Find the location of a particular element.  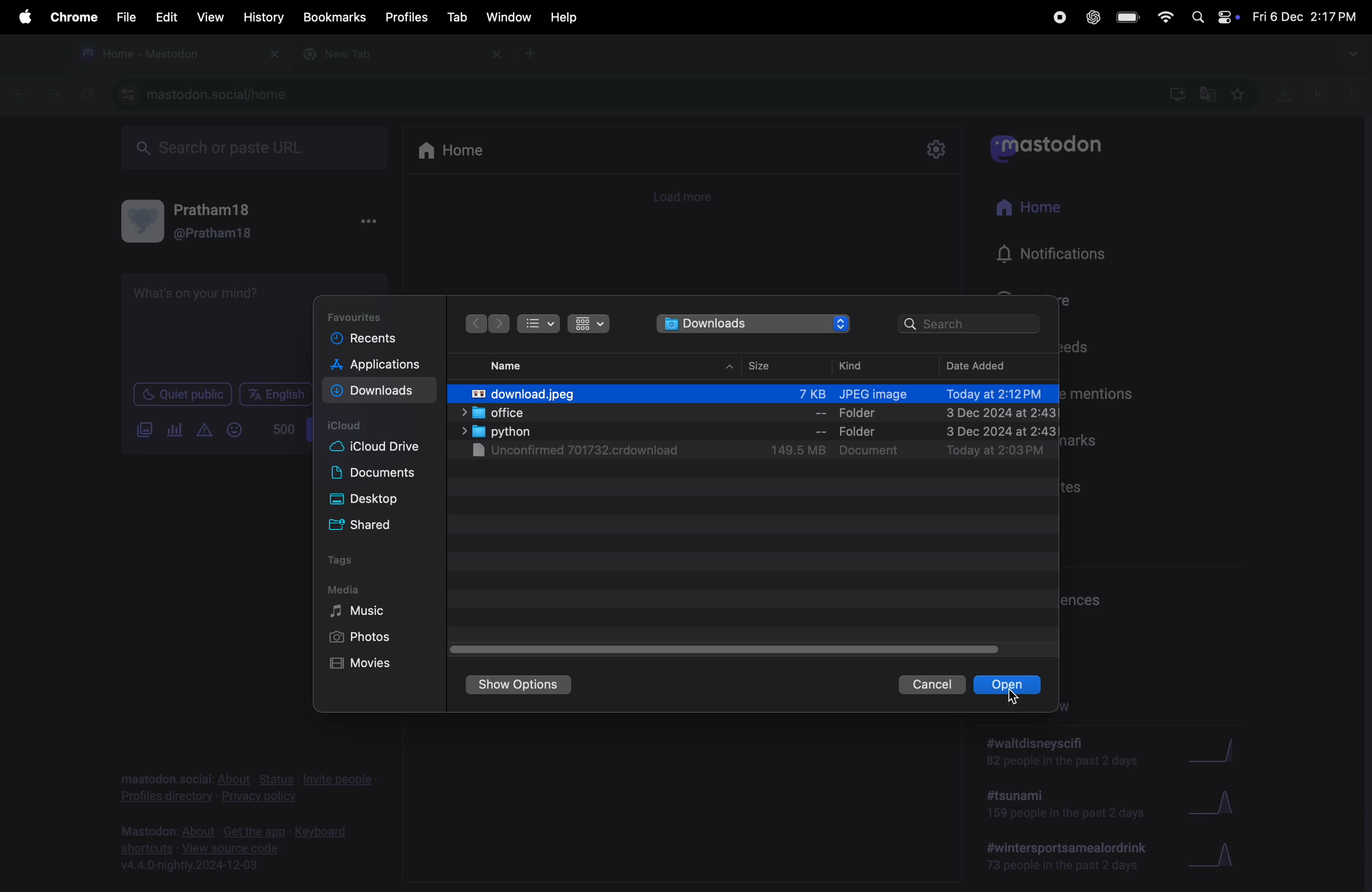

drop down is located at coordinates (1355, 55).